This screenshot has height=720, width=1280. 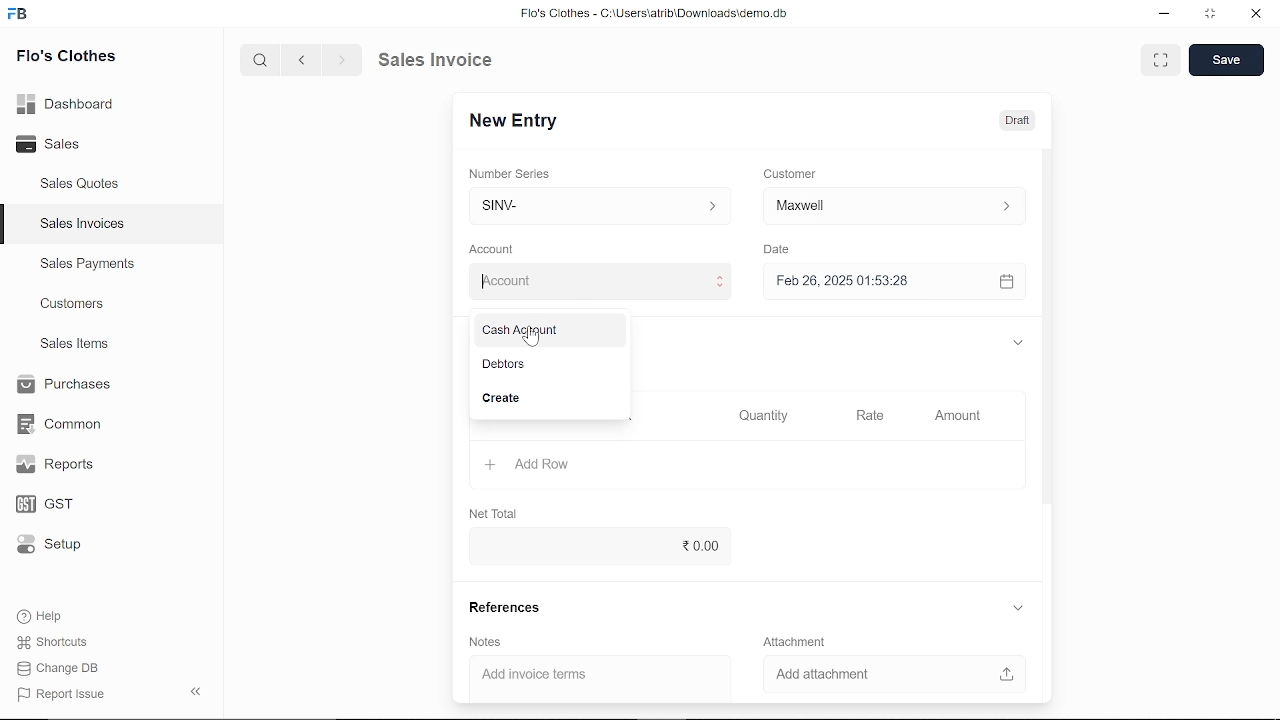 What do you see at coordinates (759, 417) in the screenshot?
I see `Quantity` at bounding box center [759, 417].